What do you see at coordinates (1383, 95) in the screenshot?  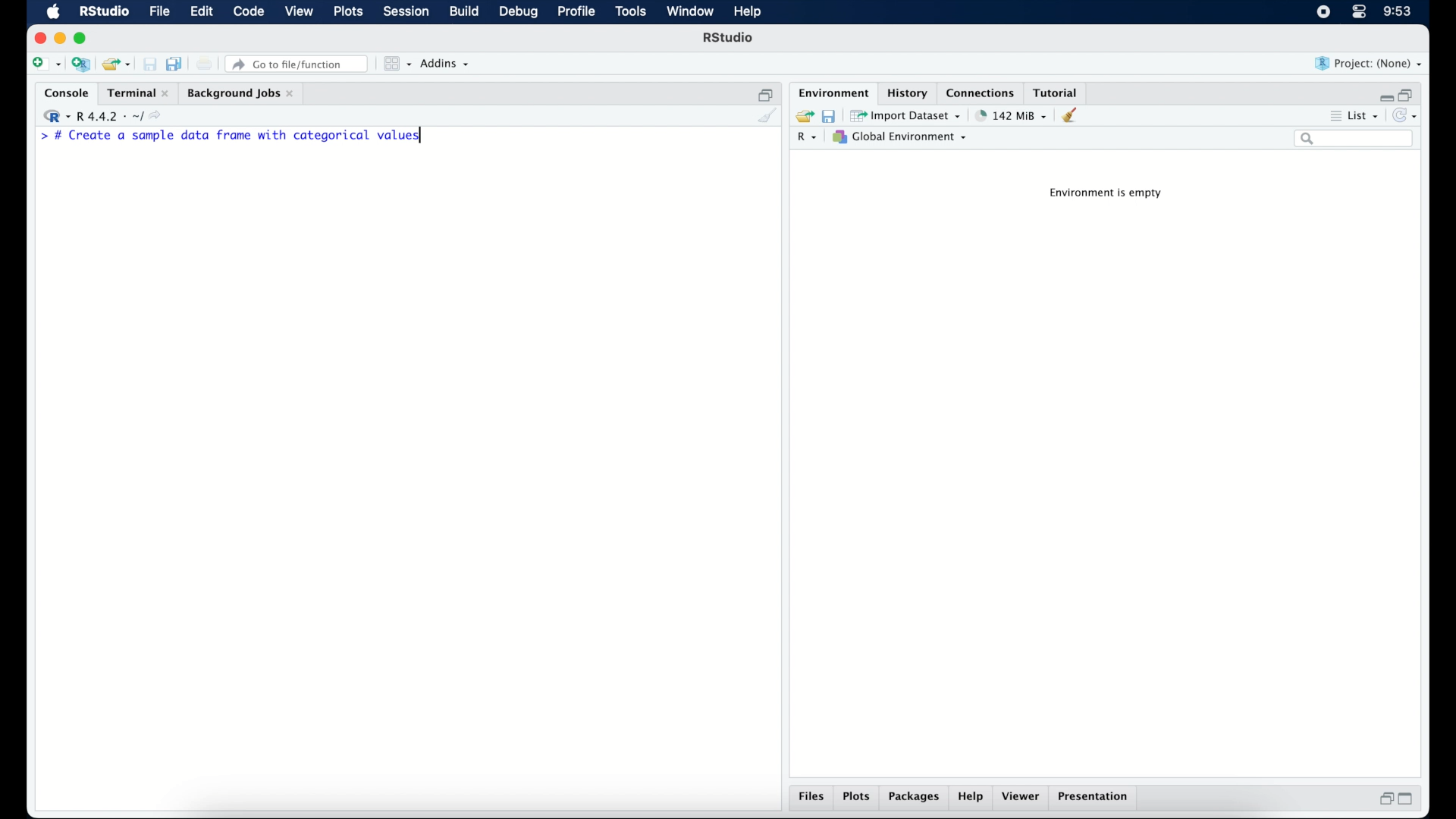 I see `minimize` at bounding box center [1383, 95].